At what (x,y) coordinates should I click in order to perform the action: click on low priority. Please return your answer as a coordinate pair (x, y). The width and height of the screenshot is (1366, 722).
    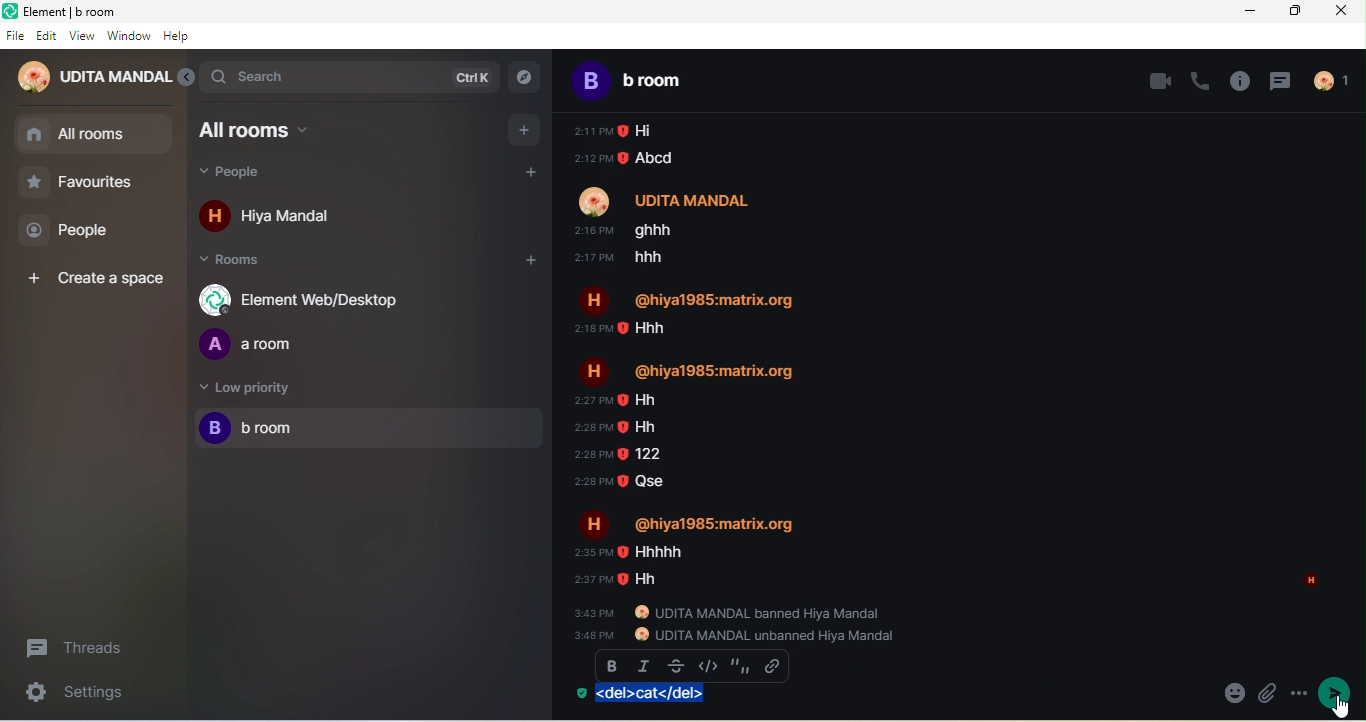
    Looking at the image, I should click on (247, 391).